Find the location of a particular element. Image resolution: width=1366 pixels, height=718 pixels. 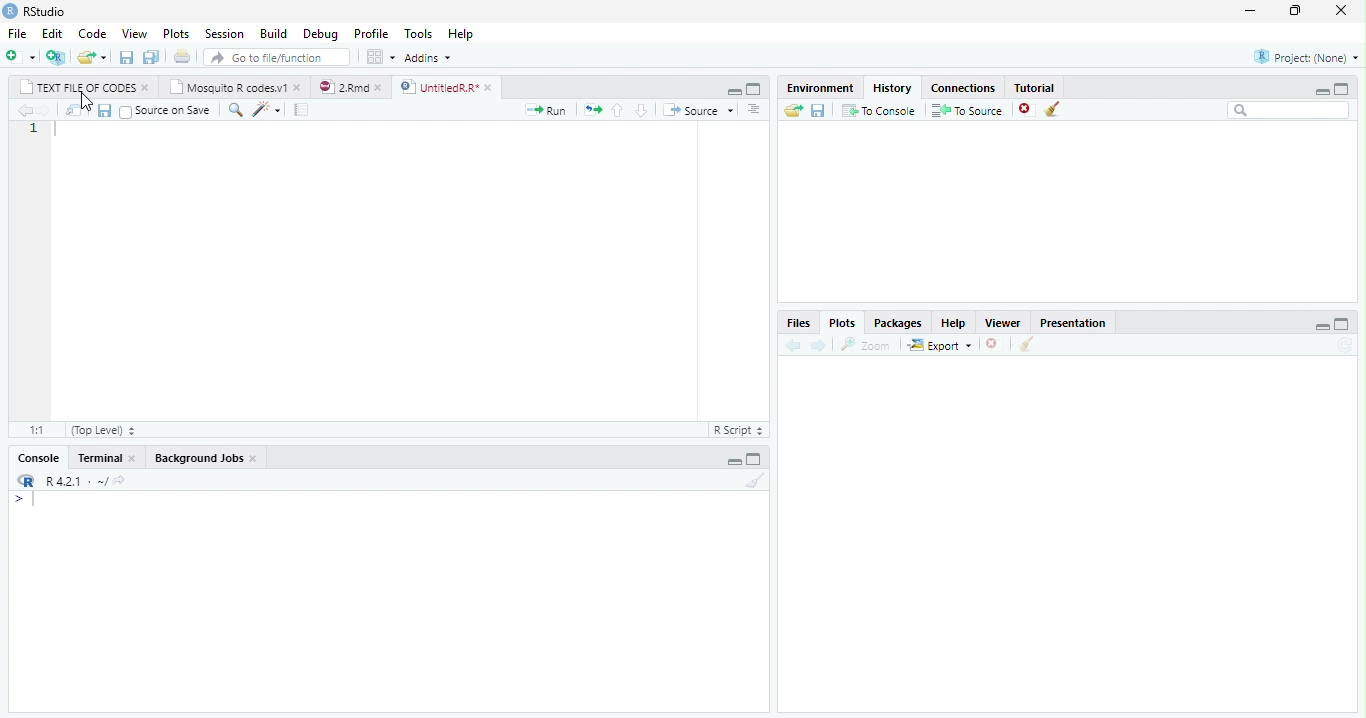

load history is located at coordinates (792, 108).